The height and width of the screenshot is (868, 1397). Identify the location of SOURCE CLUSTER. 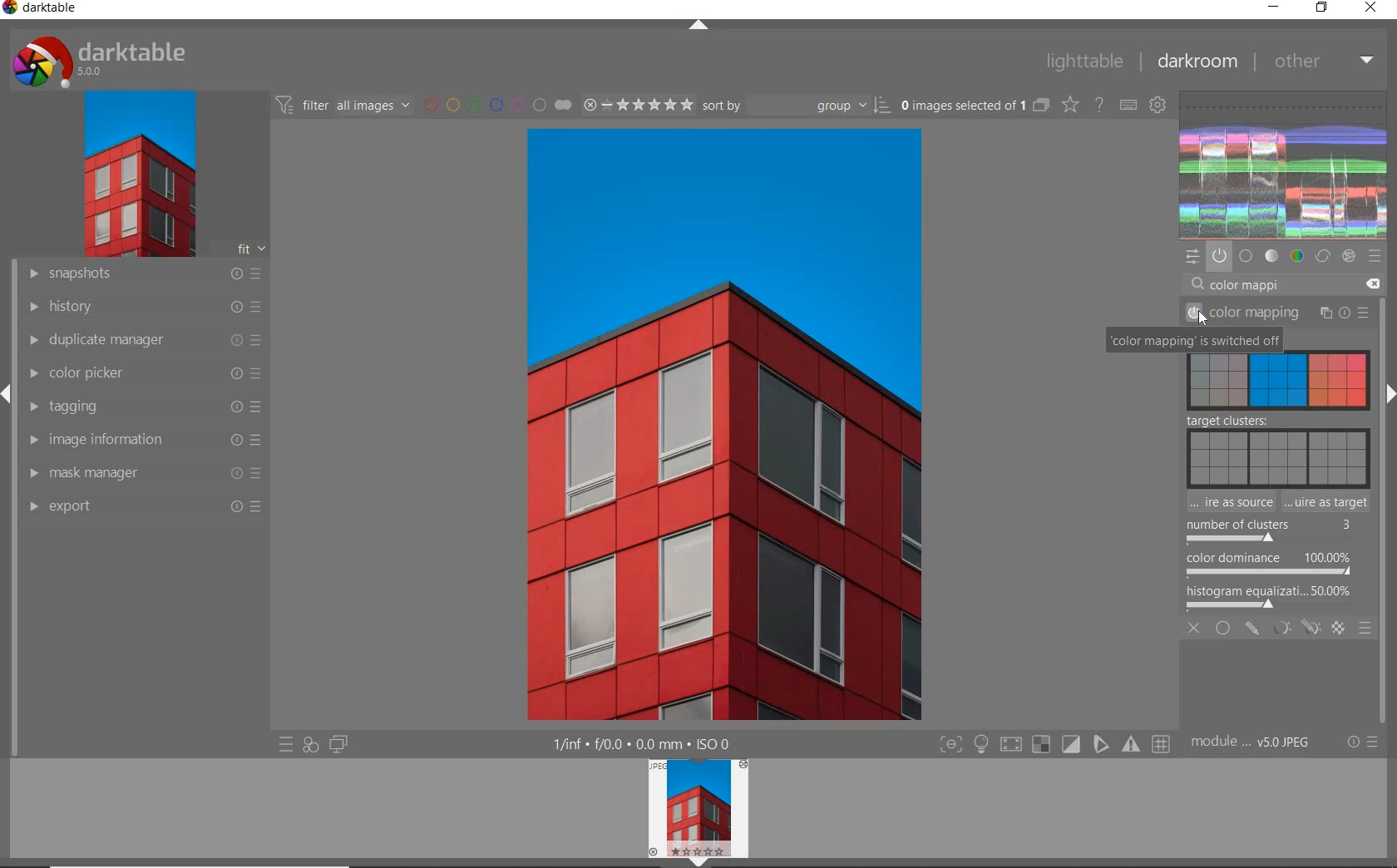
(1278, 379).